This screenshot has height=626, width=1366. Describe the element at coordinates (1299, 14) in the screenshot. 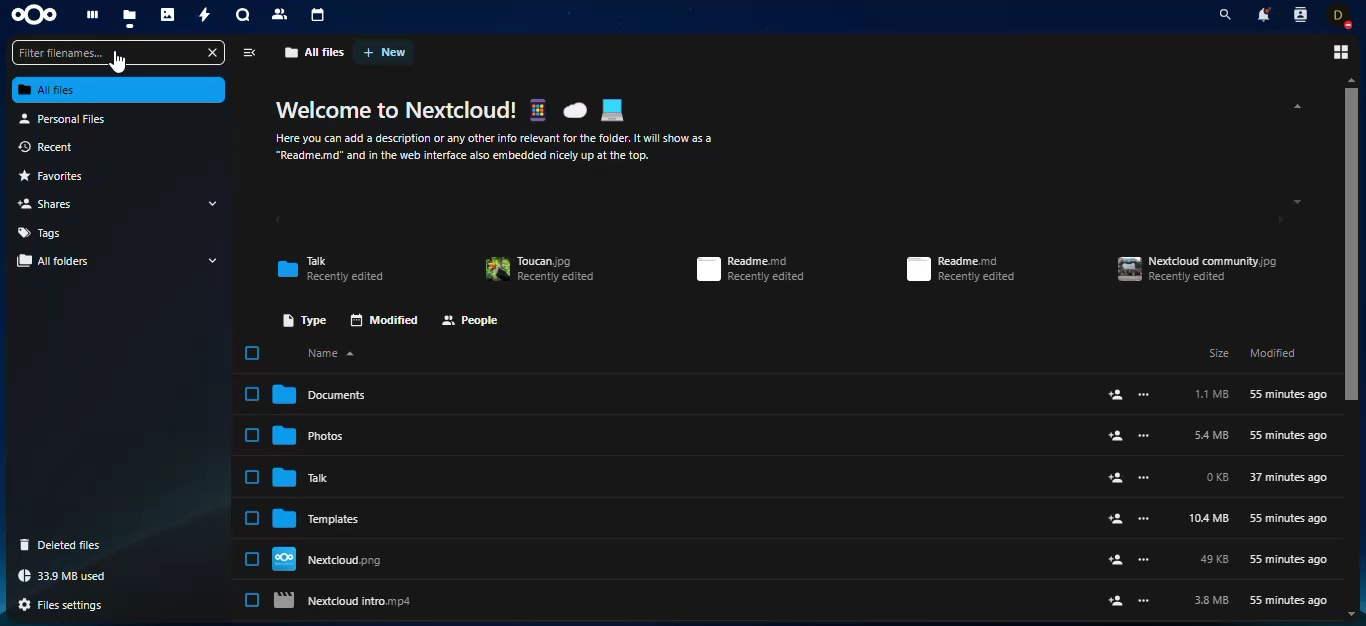

I see `contacts` at that location.